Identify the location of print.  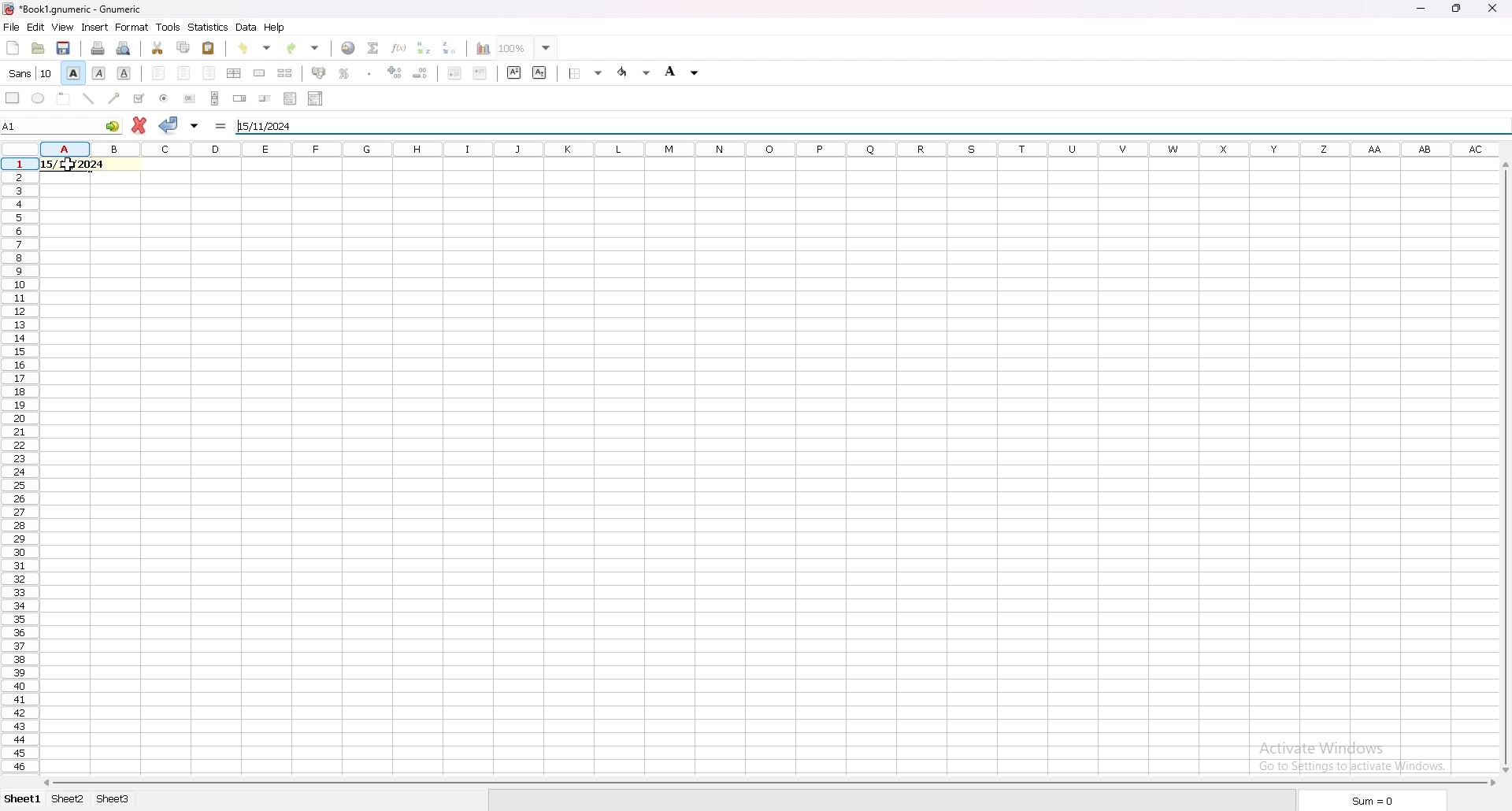
(98, 48).